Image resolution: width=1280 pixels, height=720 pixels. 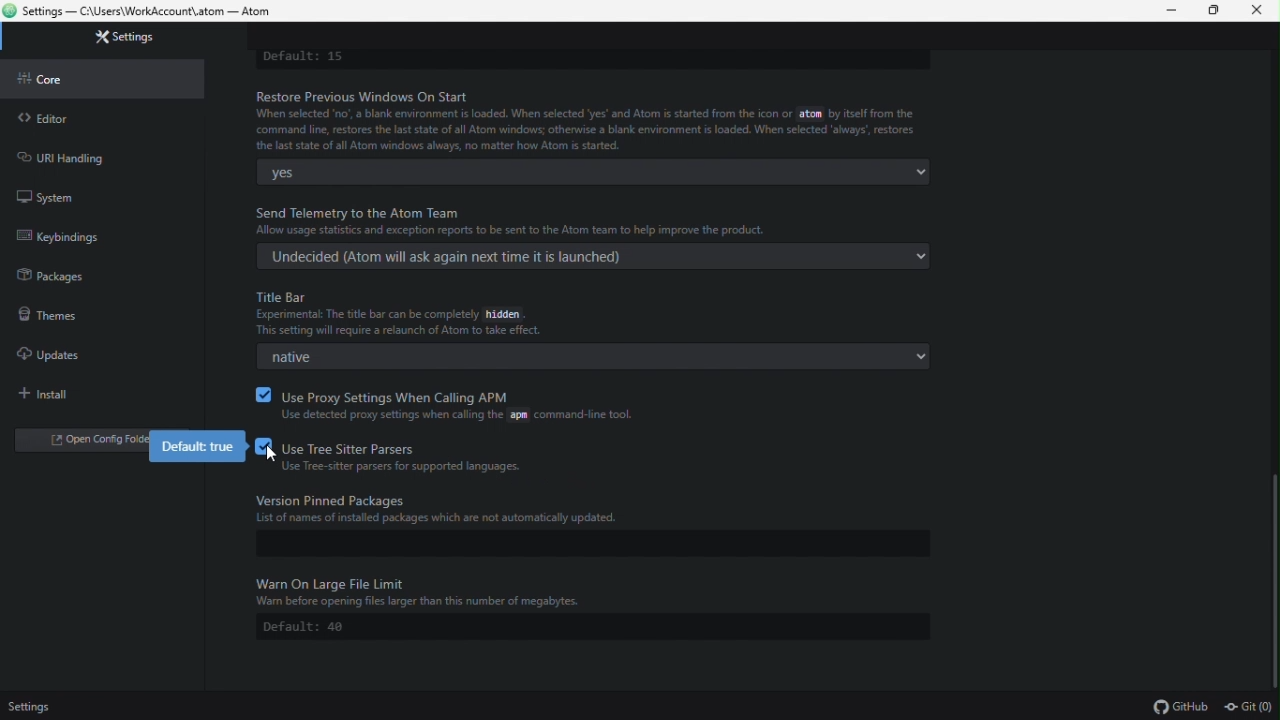 What do you see at coordinates (31, 705) in the screenshot?
I see `` at bounding box center [31, 705].